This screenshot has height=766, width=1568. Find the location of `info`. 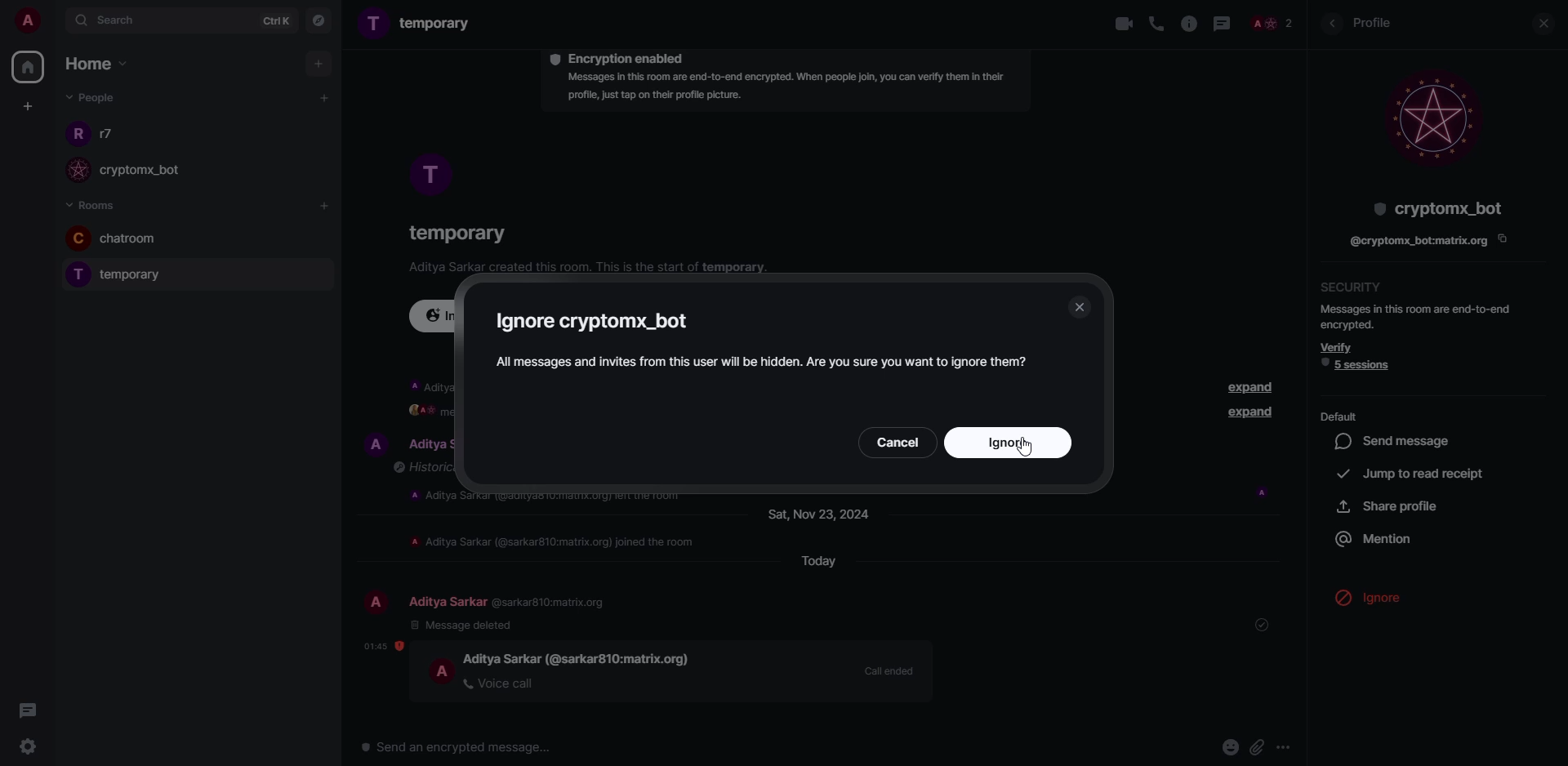

info is located at coordinates (782, 89).